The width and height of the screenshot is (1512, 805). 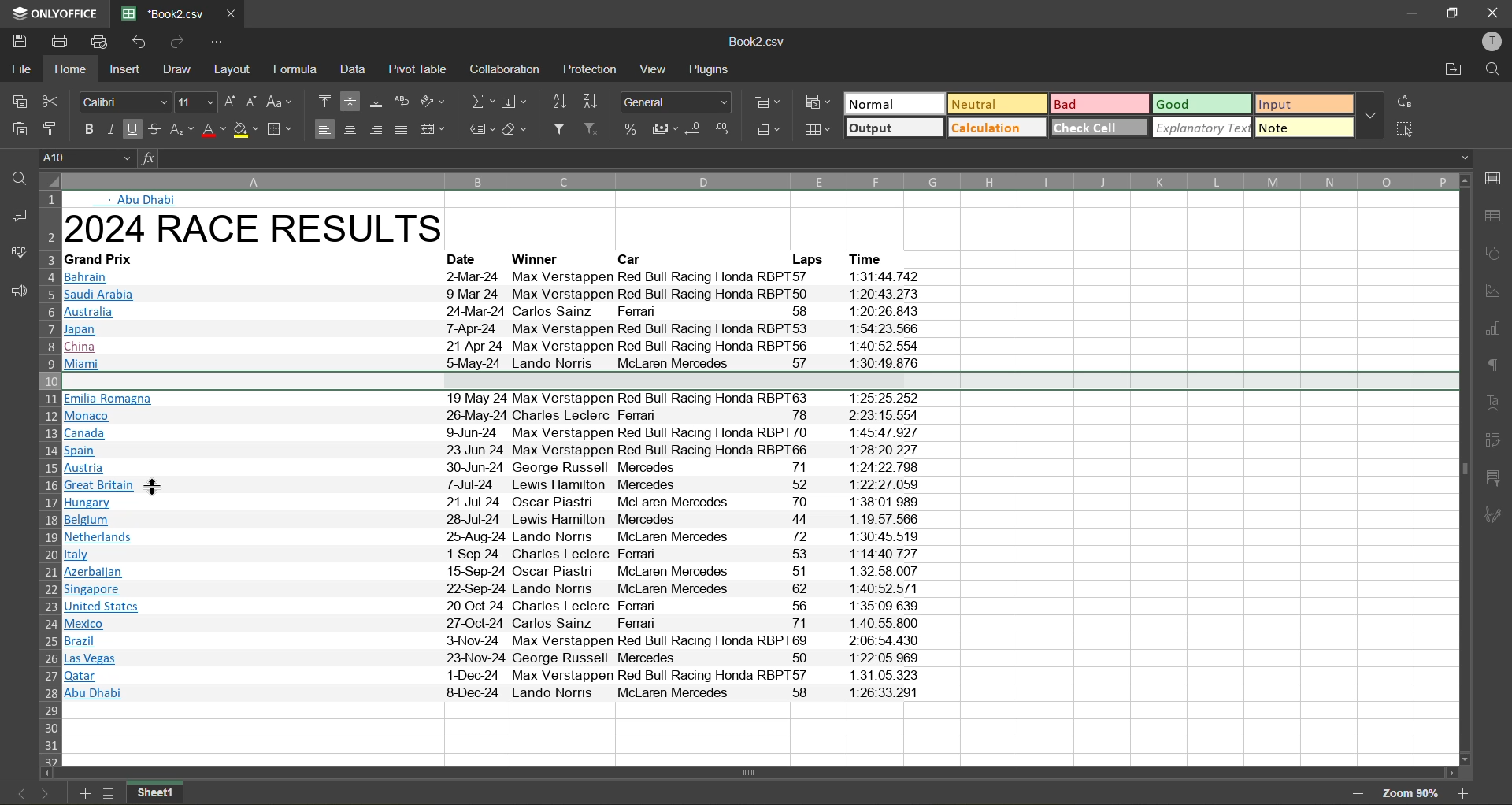 I want to click on move up, so click(x=1468, y=181).